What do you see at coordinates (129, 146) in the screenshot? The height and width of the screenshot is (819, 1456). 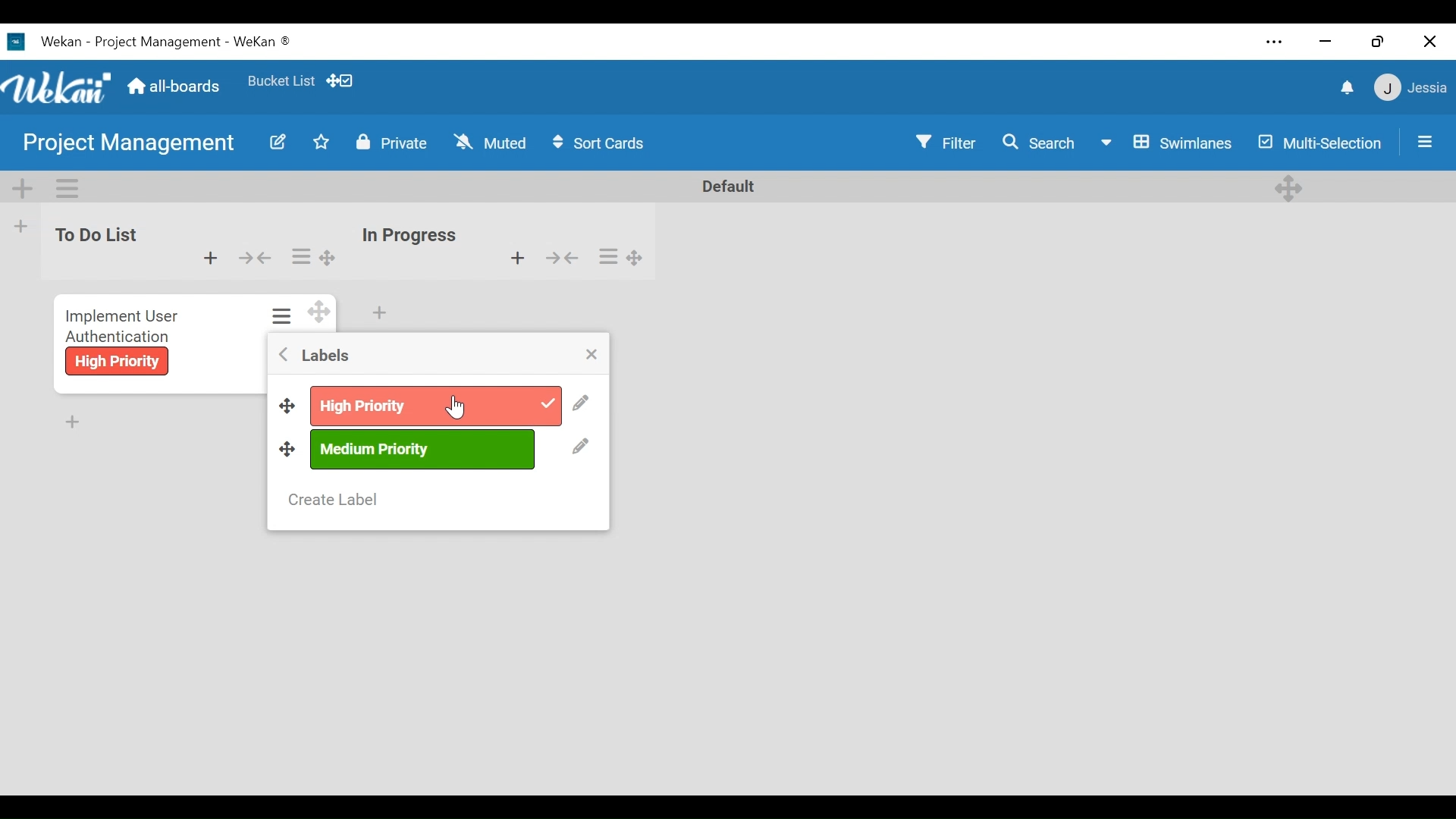 I see `Project Management` at bounding box center [129, 146].